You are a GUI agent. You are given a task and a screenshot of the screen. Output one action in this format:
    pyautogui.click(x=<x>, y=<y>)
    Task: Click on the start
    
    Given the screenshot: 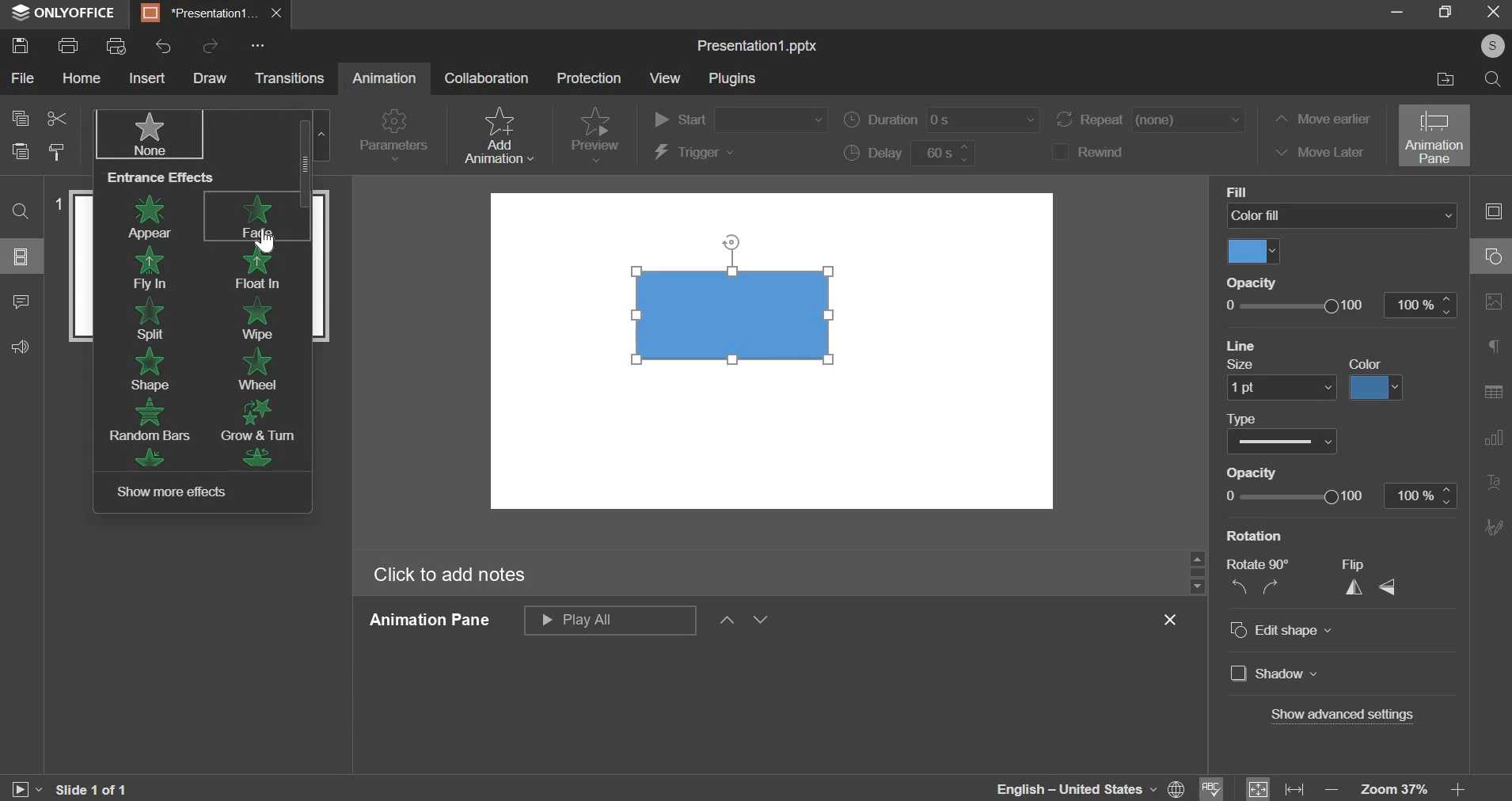 What is the action you would take?
    pyautogui.click(x=741, y=118)
    